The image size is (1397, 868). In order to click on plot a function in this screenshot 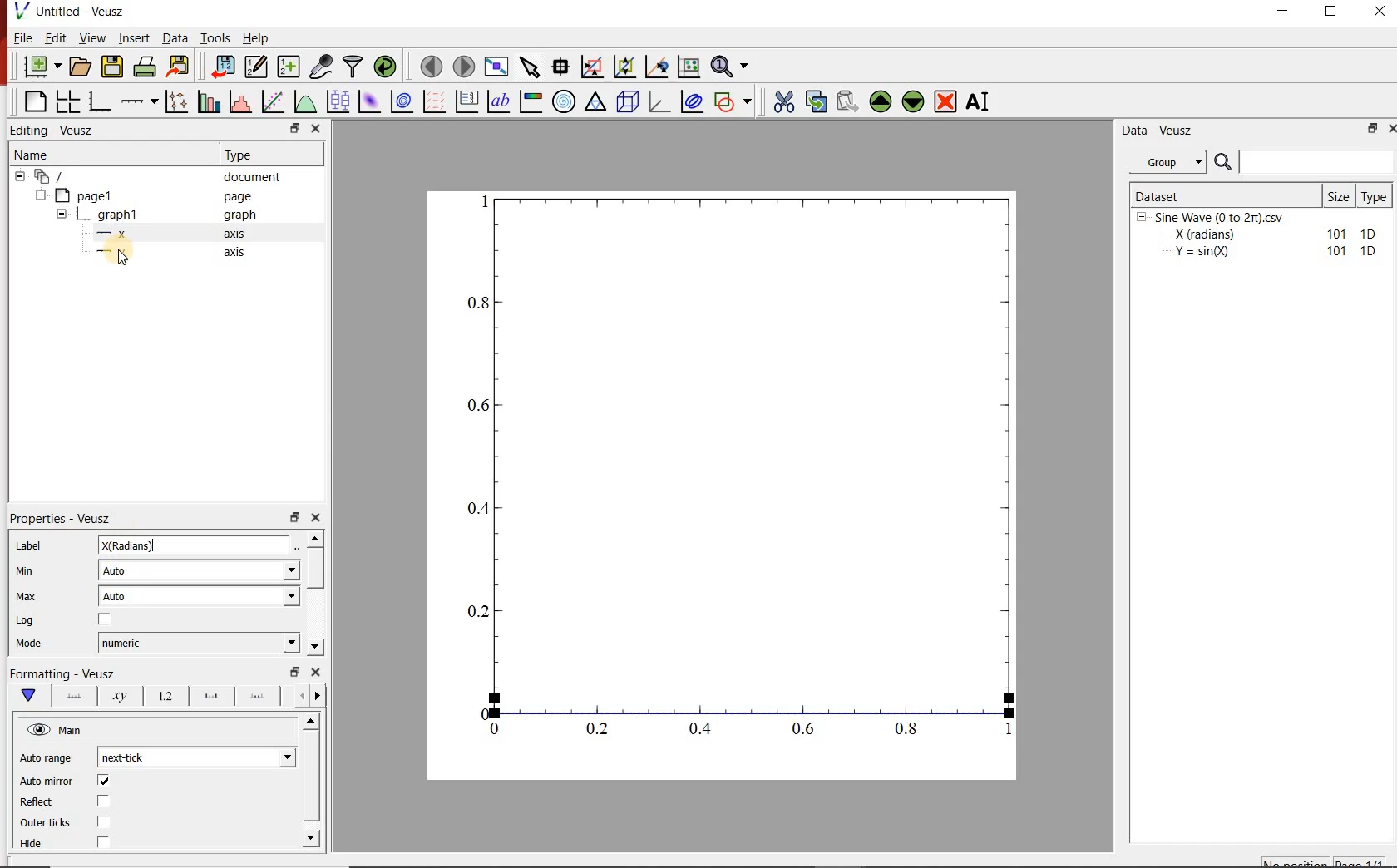, I will do `click(307, 101)`.